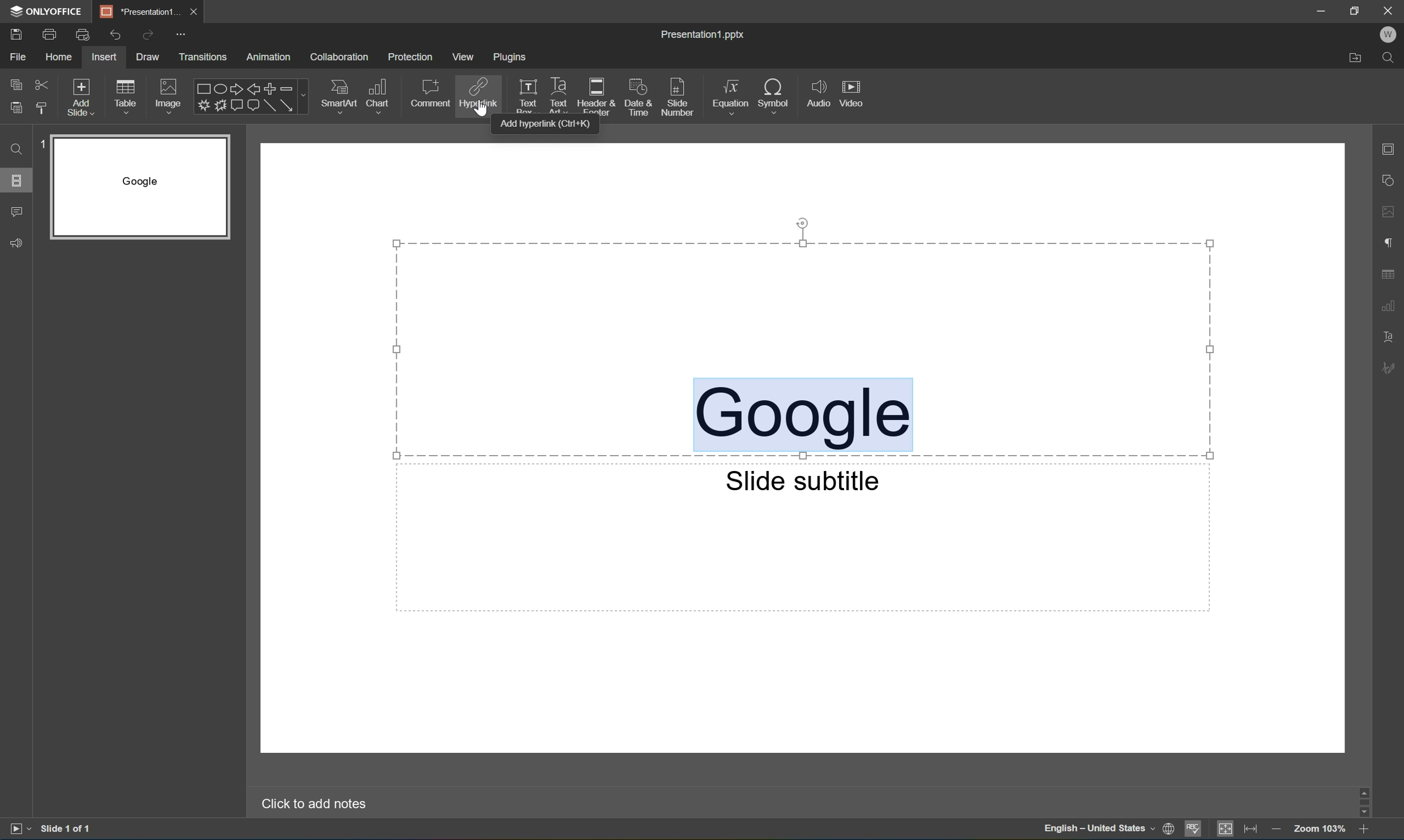 Image resolution: width=1404 pixels, height=840 pixels. I want to click on Chart, so click(380, 97).